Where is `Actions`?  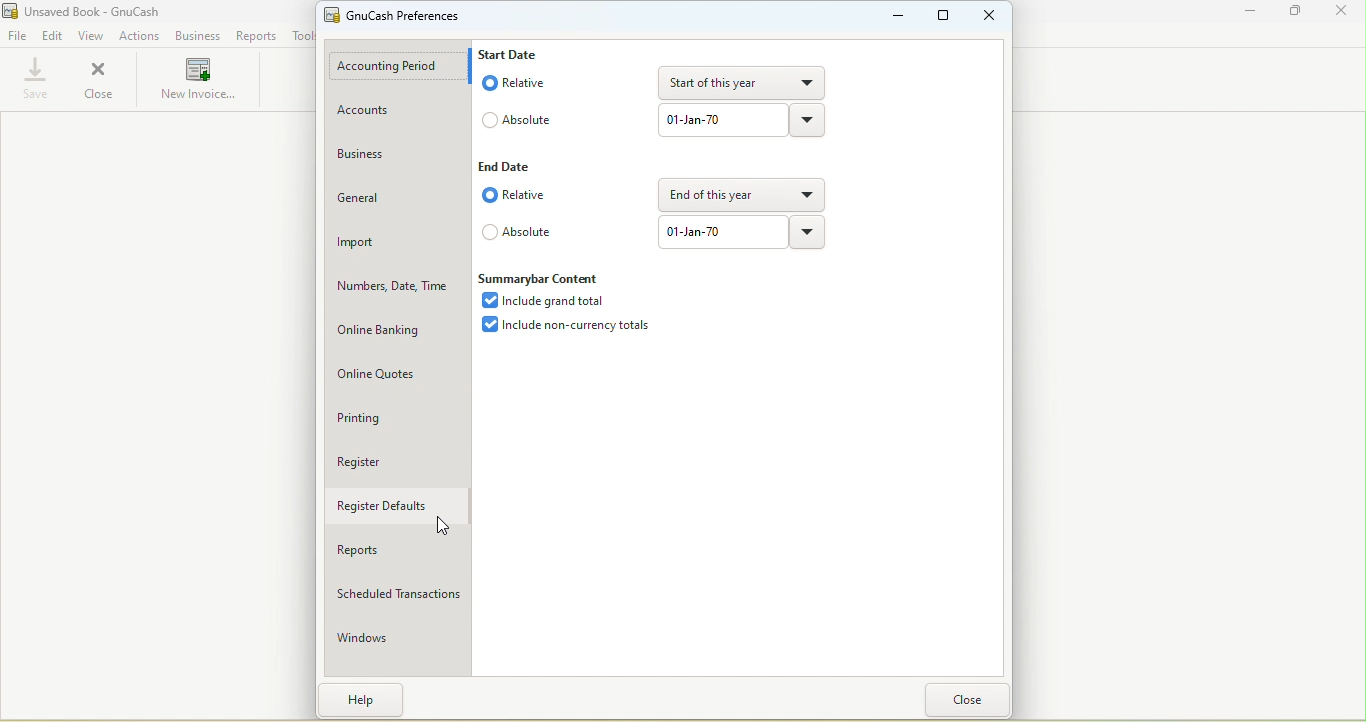 Actions is located at coordinates (141, 37).